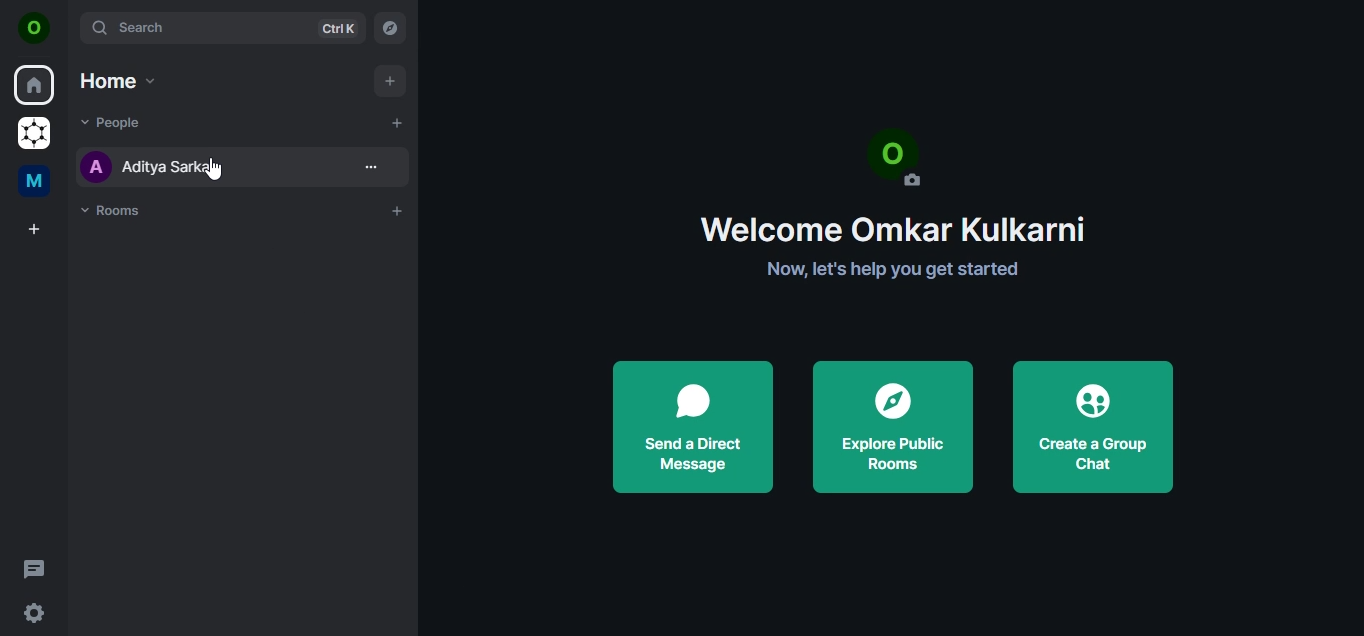 The width and height of the screenshot is (1364, 636). Describe the element at coordinates (114, 124) in the screenshot. I see `people` at that location.